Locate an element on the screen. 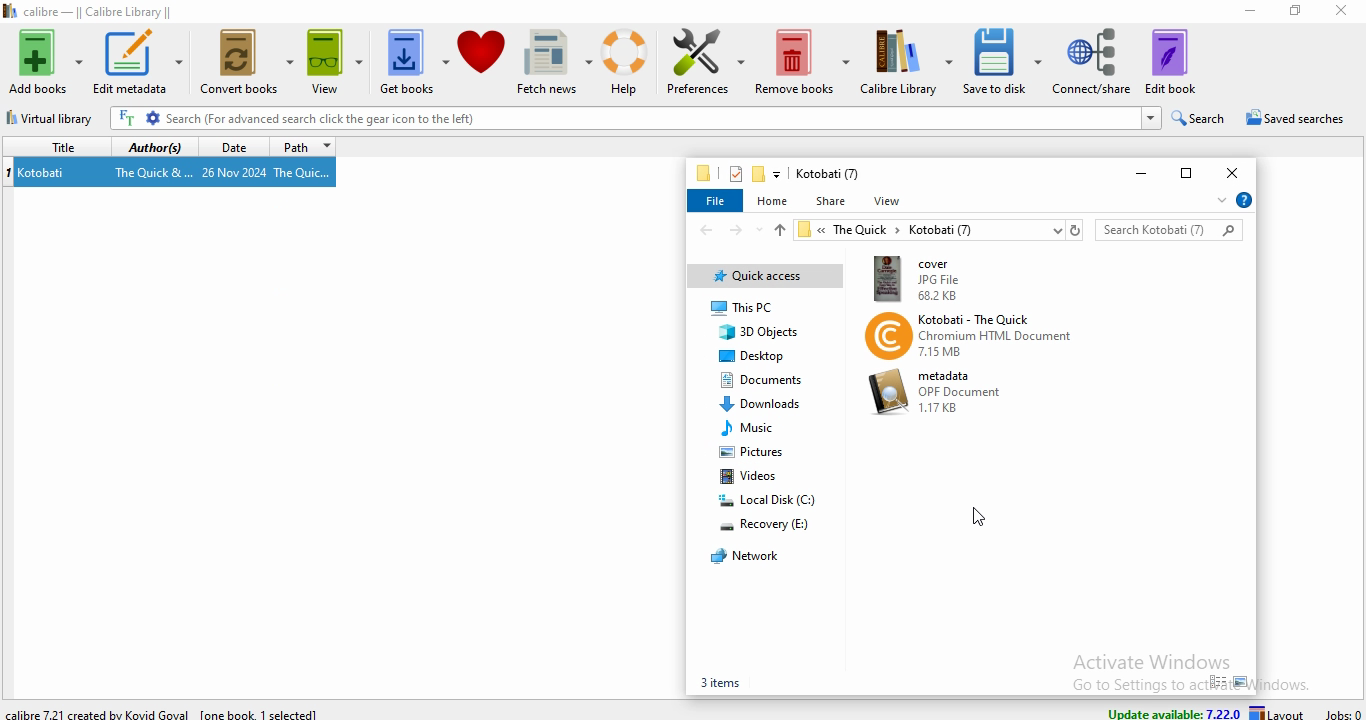  Kotobati (7) is located at coordinates (827, 174).